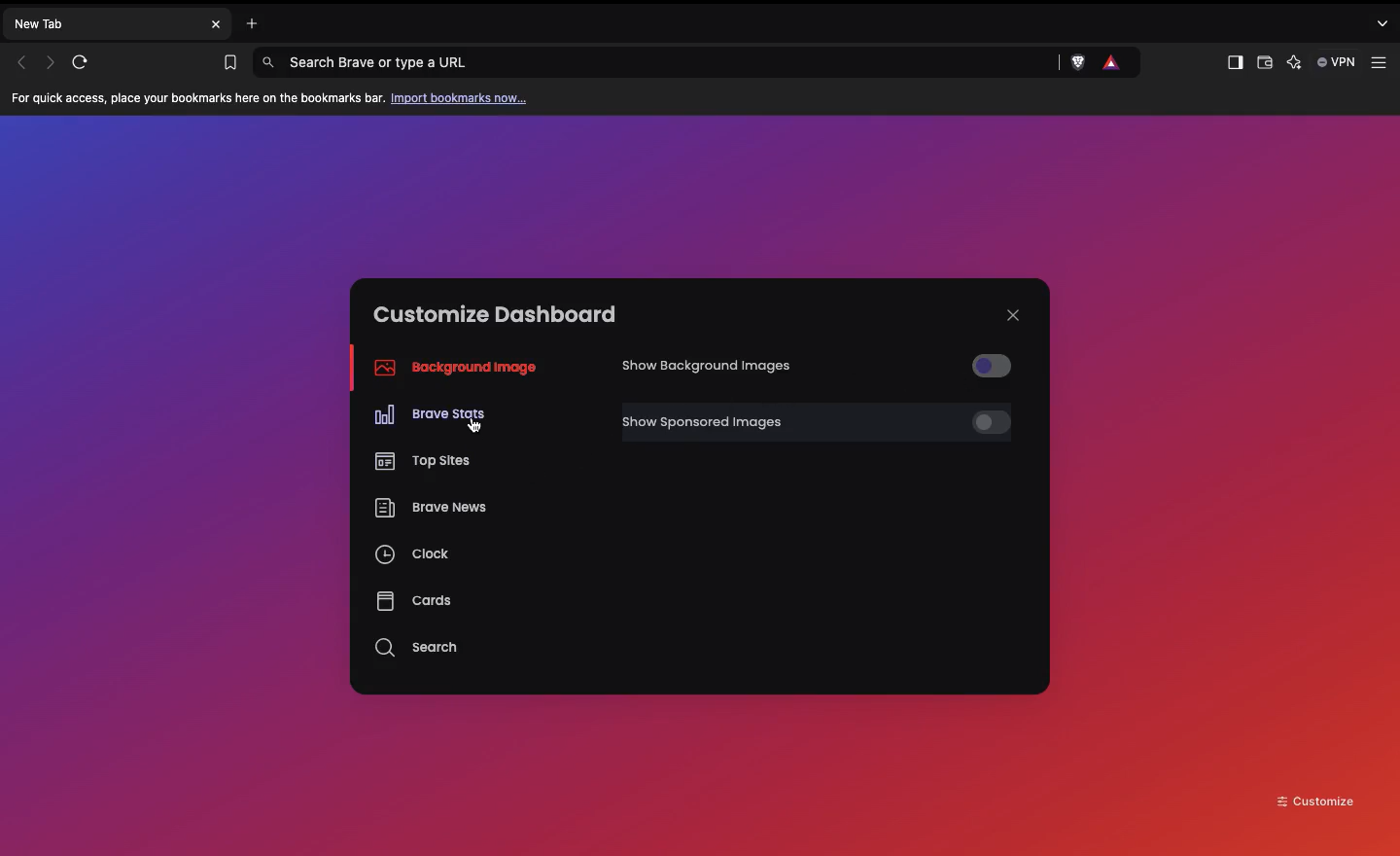 The image size is (1400, 856). What do you see at coordinates (473, 427) in the screenshot?
I see `Cursor` at bounding box center [473, 427].